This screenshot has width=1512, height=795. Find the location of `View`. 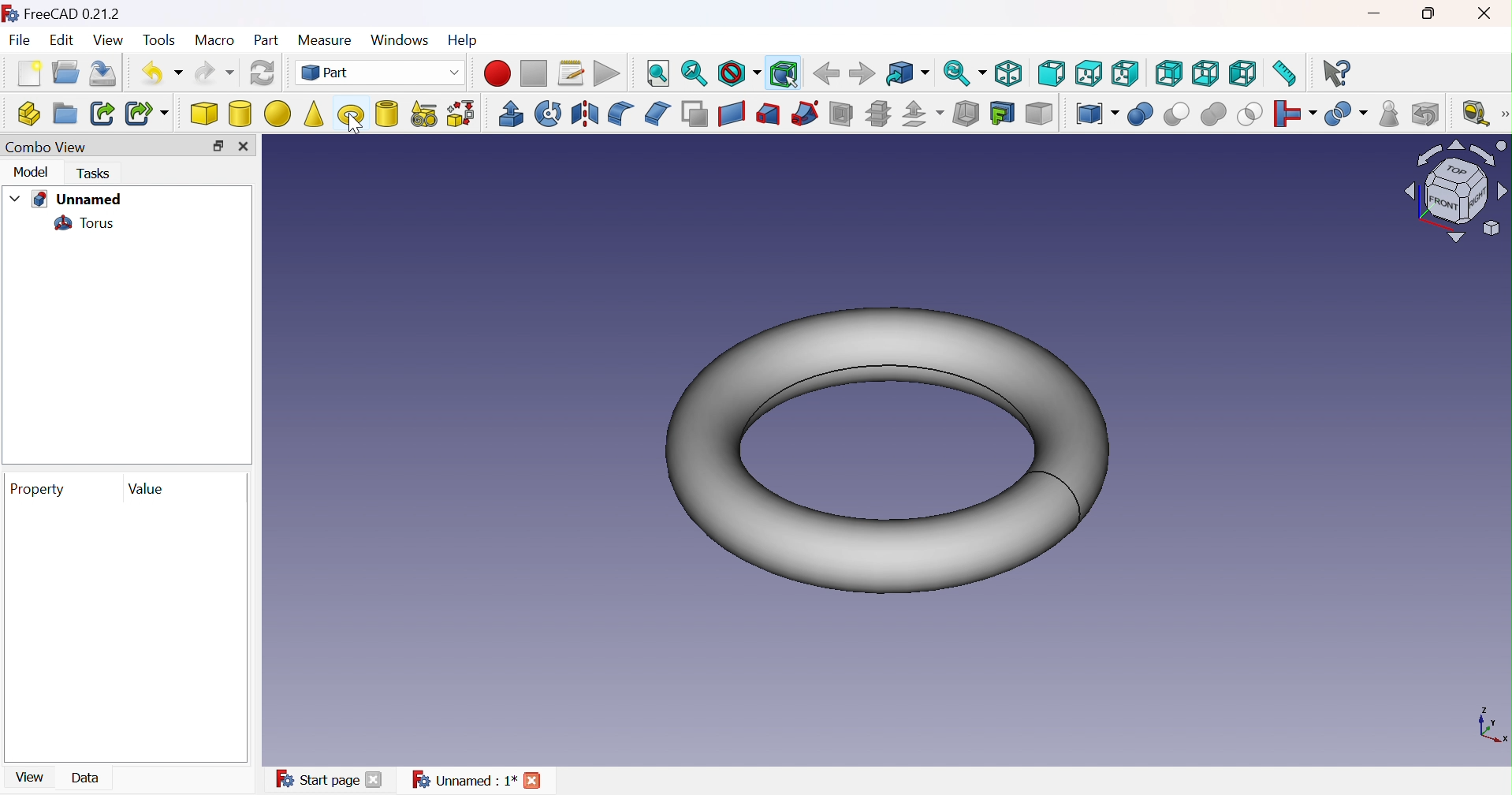

View is located at coordinates (32, 777).